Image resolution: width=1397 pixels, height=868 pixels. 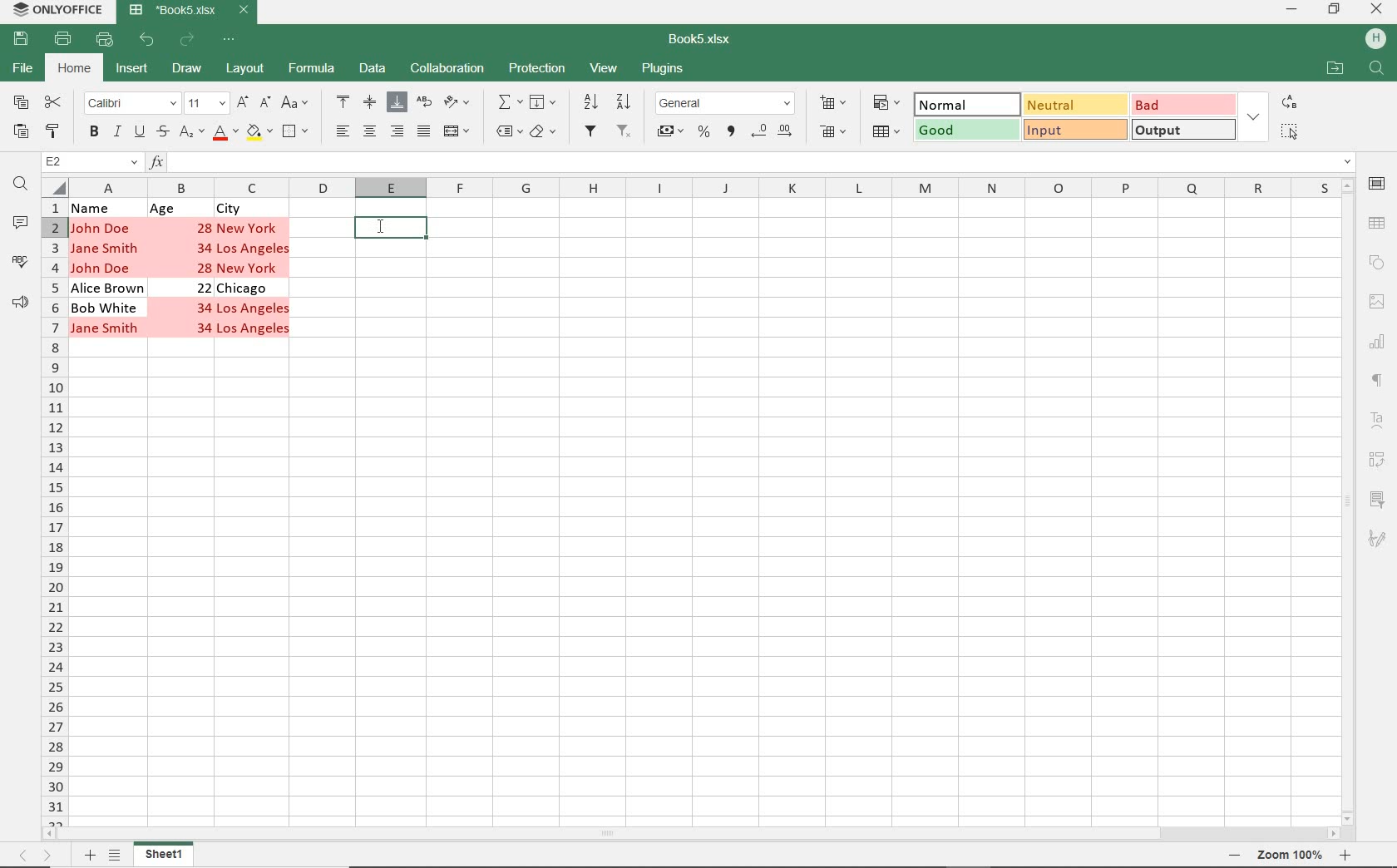 What do you see at coordinates (423, 132) in the screenshot?
I see `JUSTIFIED` at bounding box center [423, 132].